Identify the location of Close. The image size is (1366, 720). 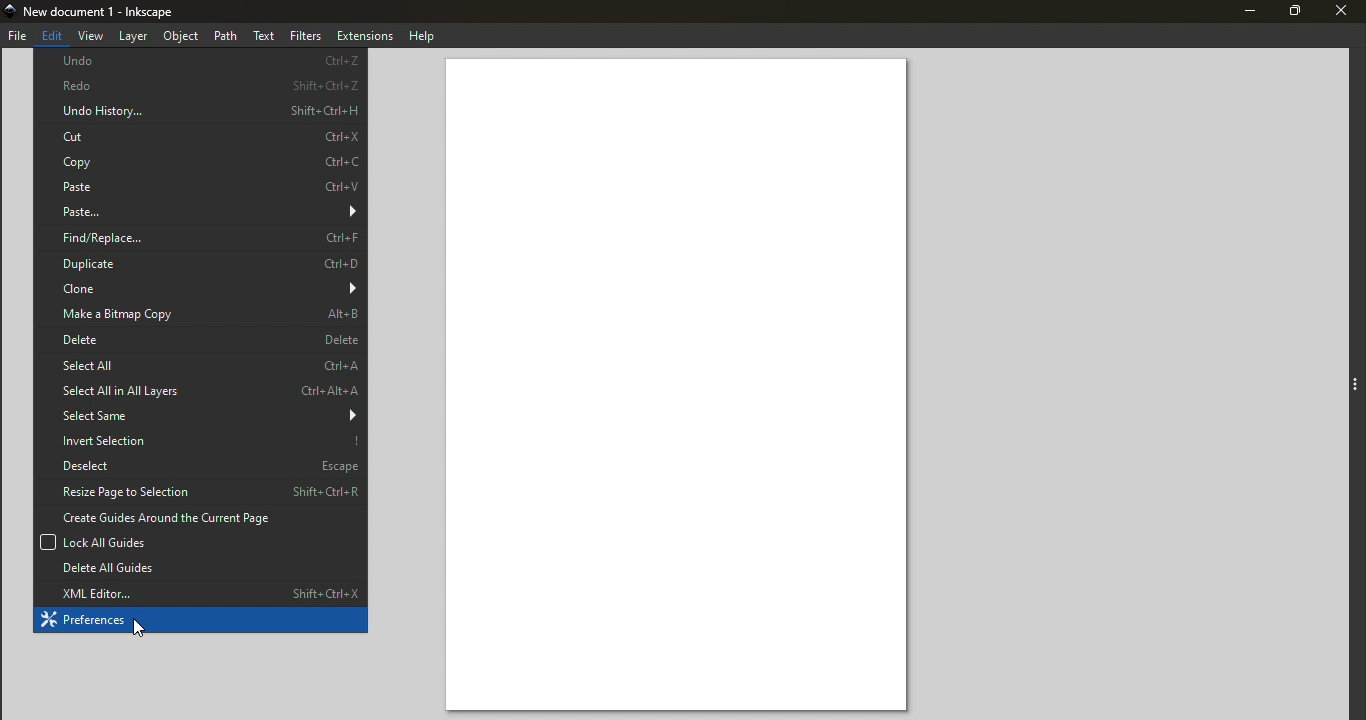
(1342, 13).